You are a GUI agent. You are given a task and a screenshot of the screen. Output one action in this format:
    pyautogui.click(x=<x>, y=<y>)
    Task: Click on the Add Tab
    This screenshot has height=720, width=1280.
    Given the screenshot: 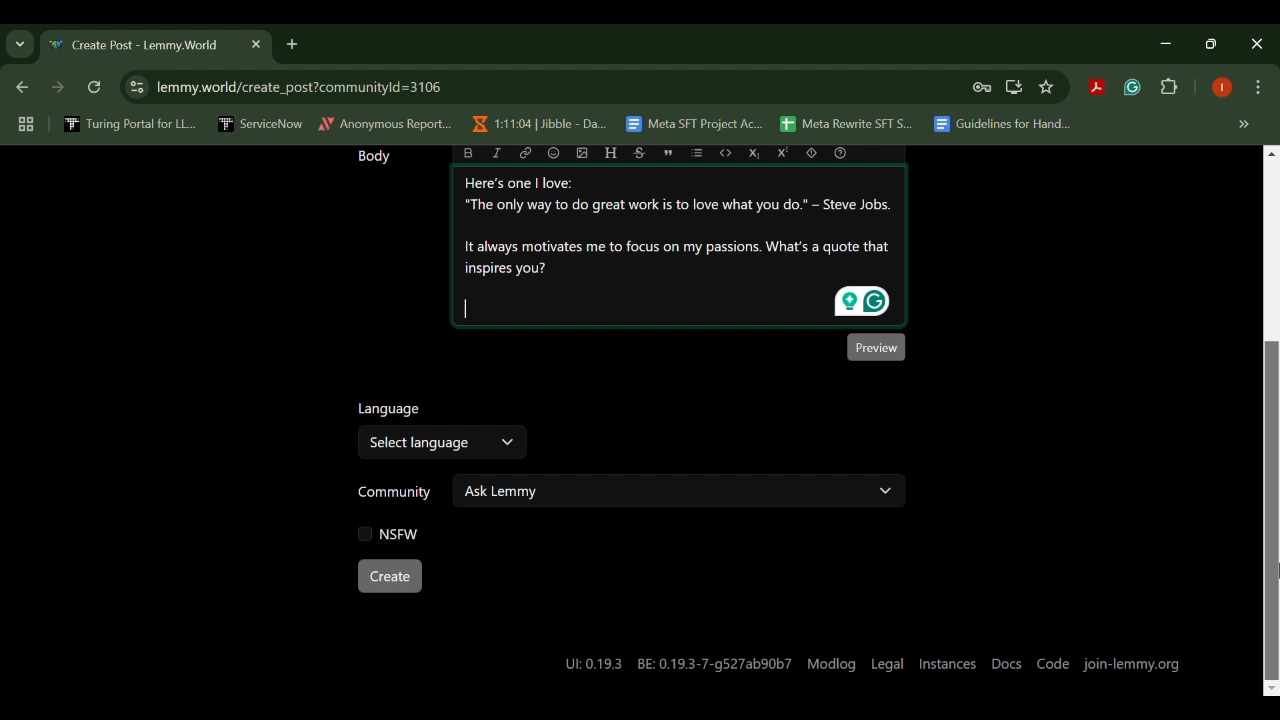 What is the action you would take?
    pyautogui.click(x=291, y=43)
    